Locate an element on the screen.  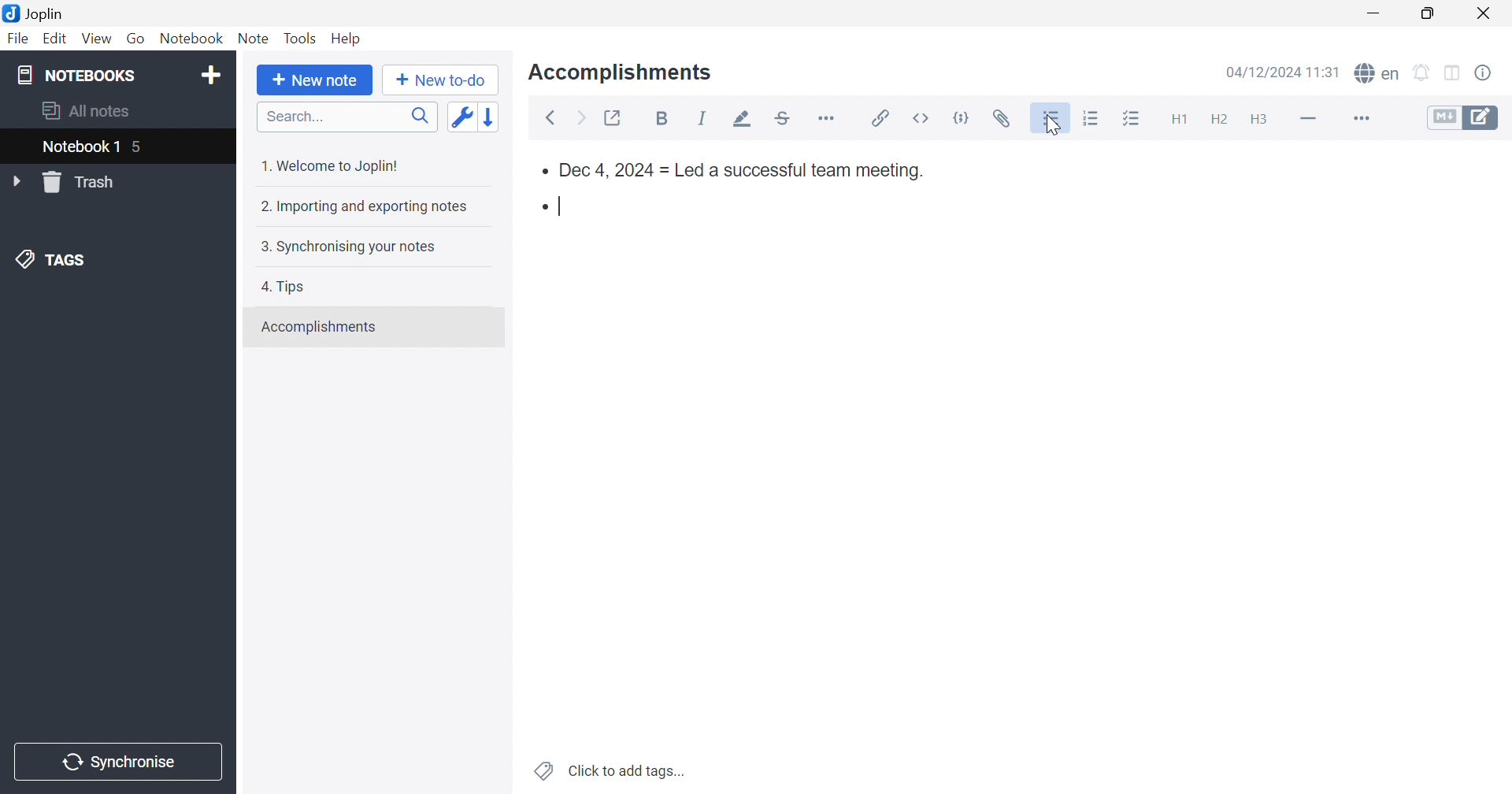
Horizontal line is located at coordinates (1311, 121).